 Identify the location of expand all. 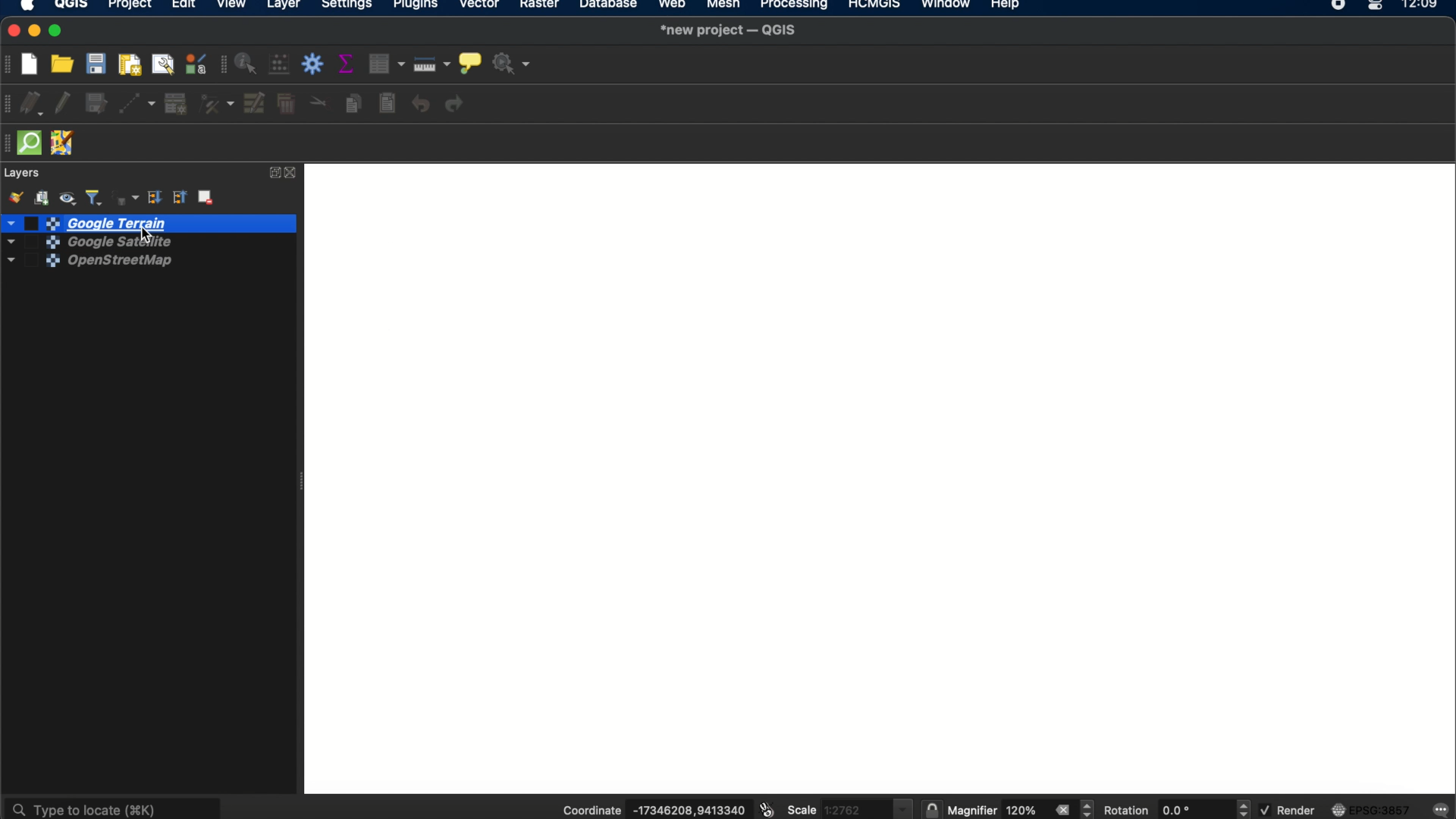
(154, 198).